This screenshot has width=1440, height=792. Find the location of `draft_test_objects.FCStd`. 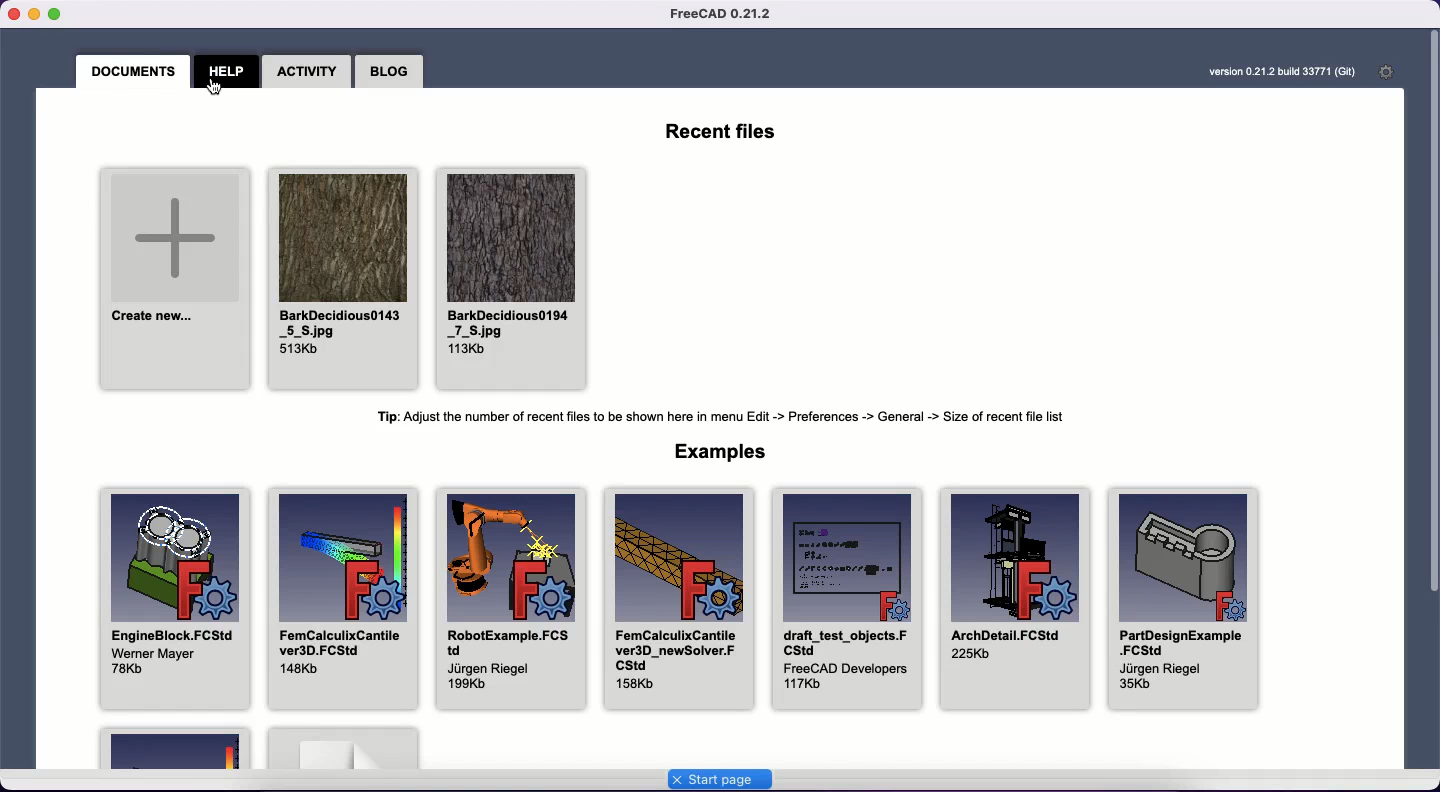

draft_test_objects.FCStd is located at coordinates (845, 598).